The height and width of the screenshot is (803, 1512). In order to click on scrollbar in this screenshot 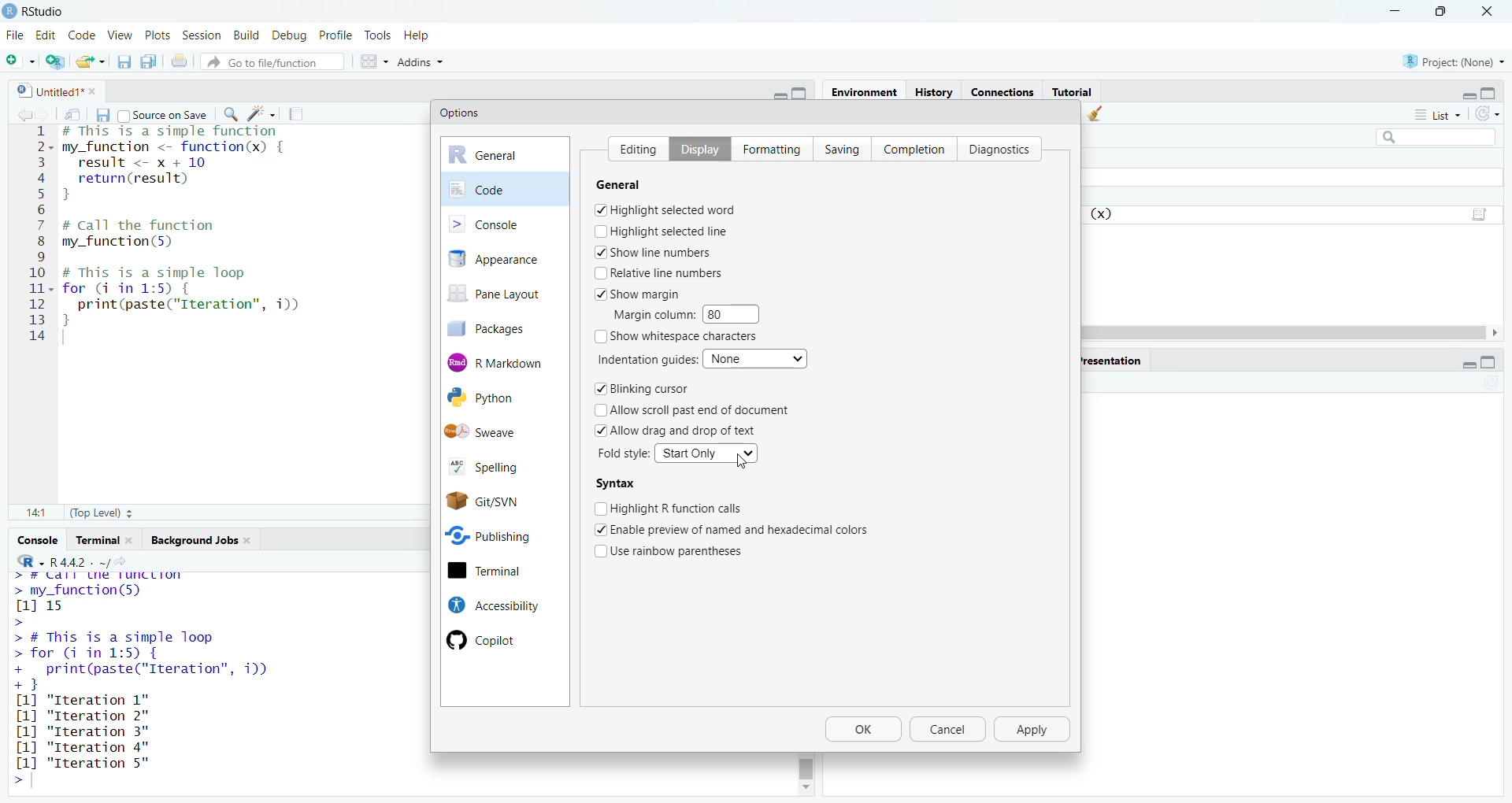, I will do `click(1287, 332)`.